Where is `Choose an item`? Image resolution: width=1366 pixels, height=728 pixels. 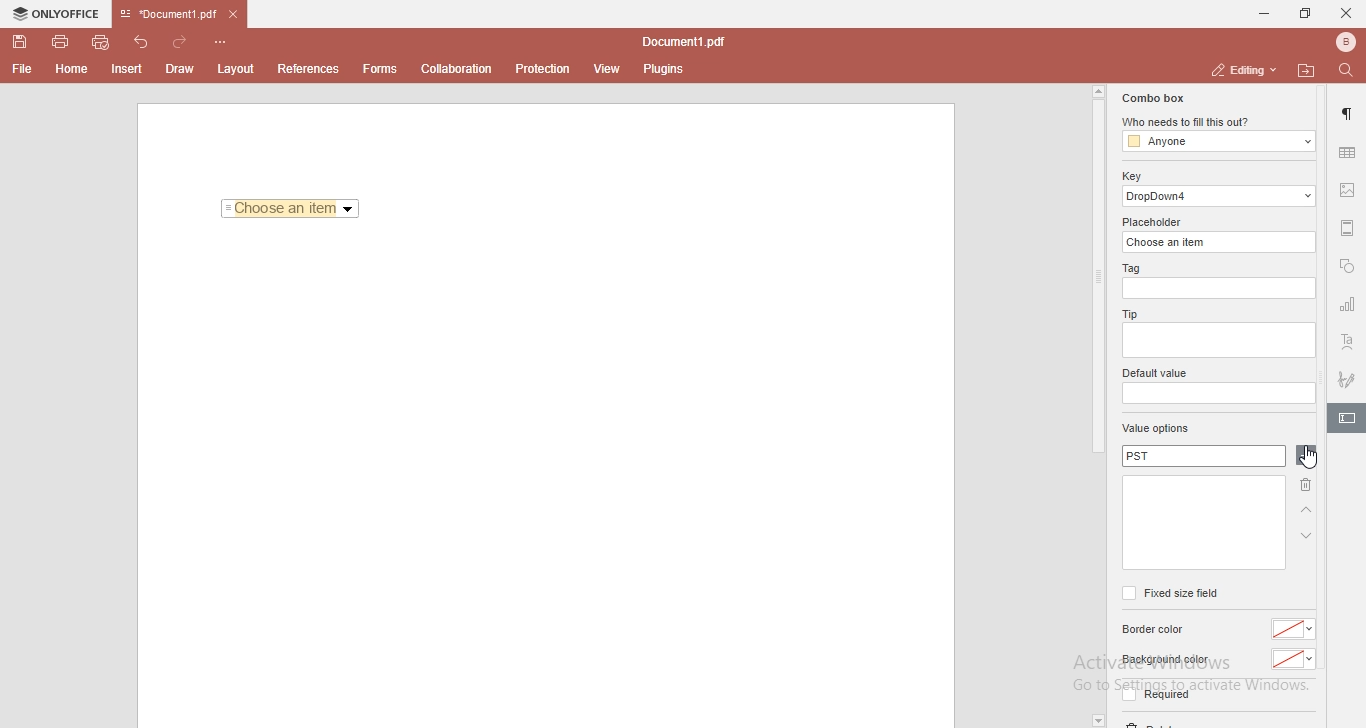
Choose an item is located at coordinates (291, 210).